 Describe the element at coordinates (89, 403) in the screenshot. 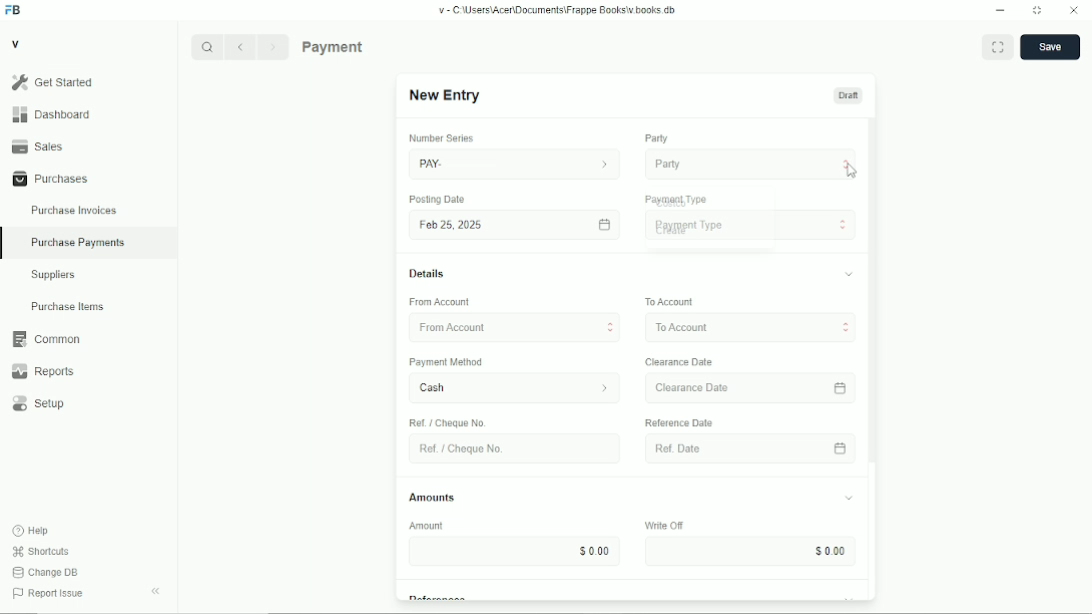

I see `Setup` at that location.